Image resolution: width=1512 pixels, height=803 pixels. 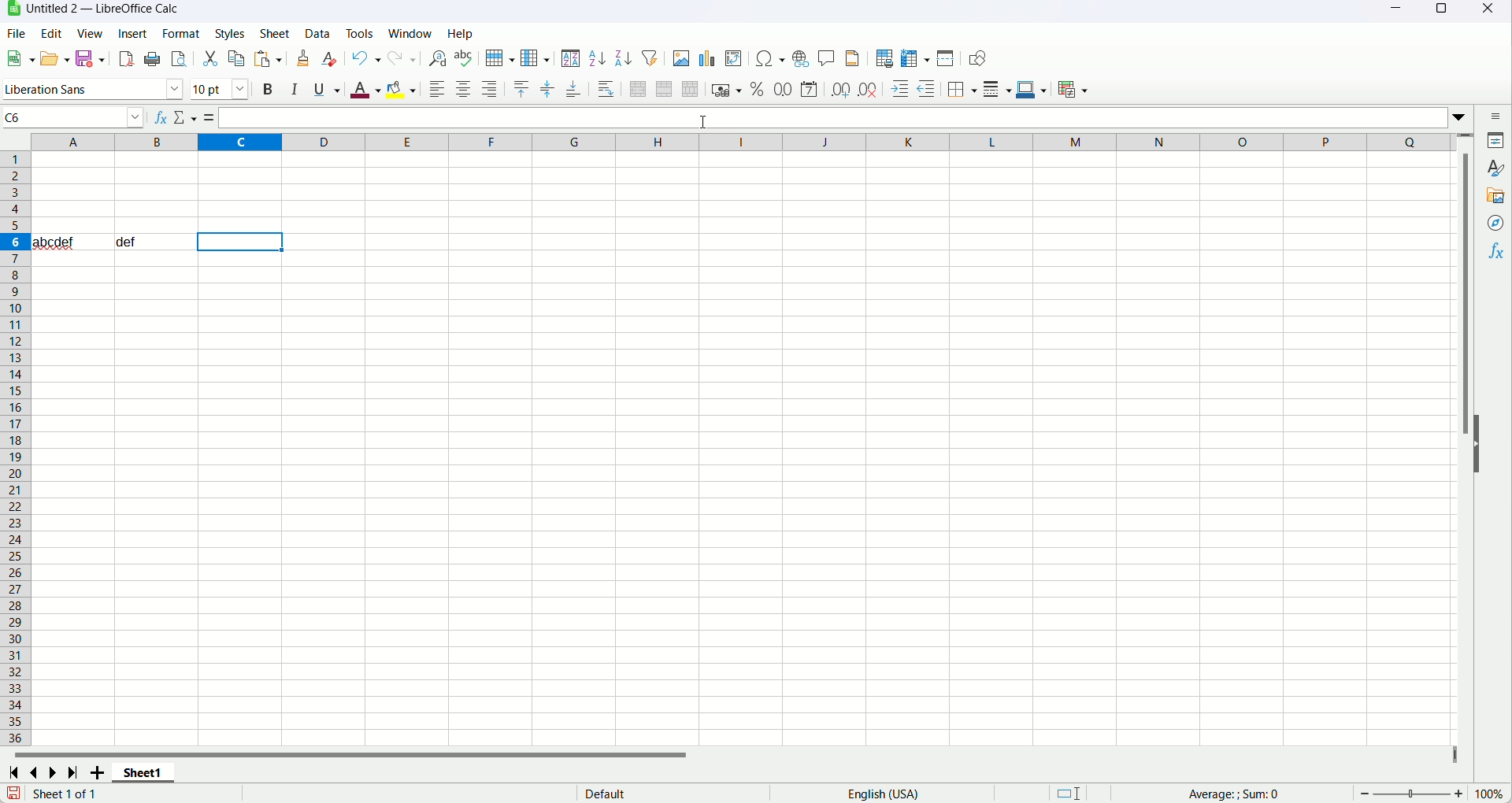 I want to click on sheet1, so click(x=146, y=772).